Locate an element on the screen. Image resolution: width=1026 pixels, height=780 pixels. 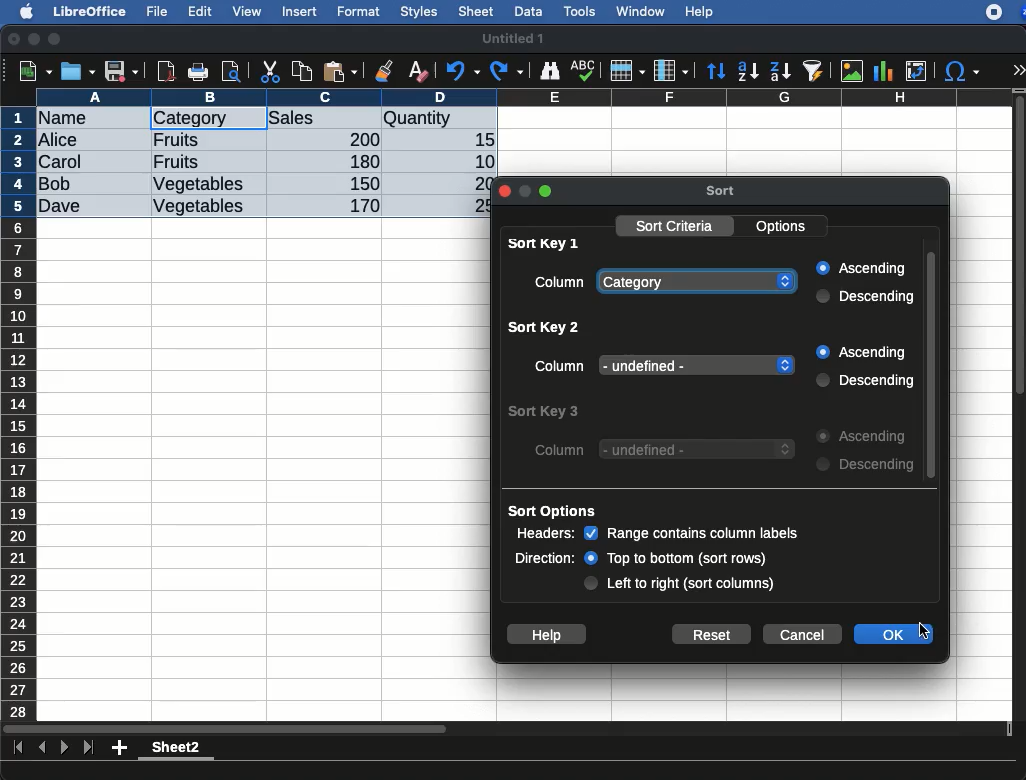
ascending is located at coordinates (865, 439).